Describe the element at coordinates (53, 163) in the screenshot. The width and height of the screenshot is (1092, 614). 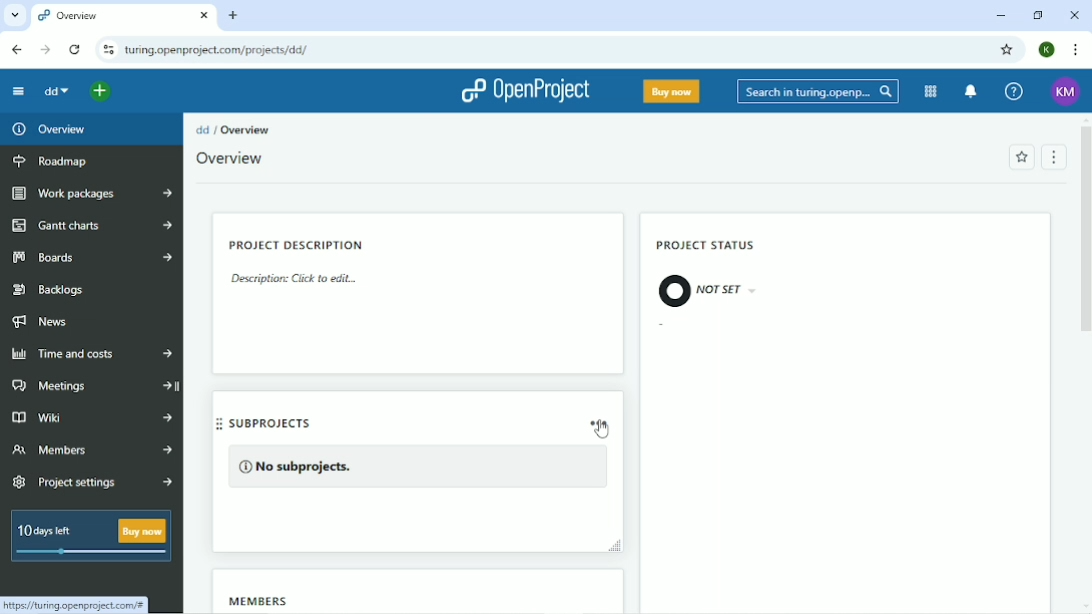
I see `Roadmap` at that location.